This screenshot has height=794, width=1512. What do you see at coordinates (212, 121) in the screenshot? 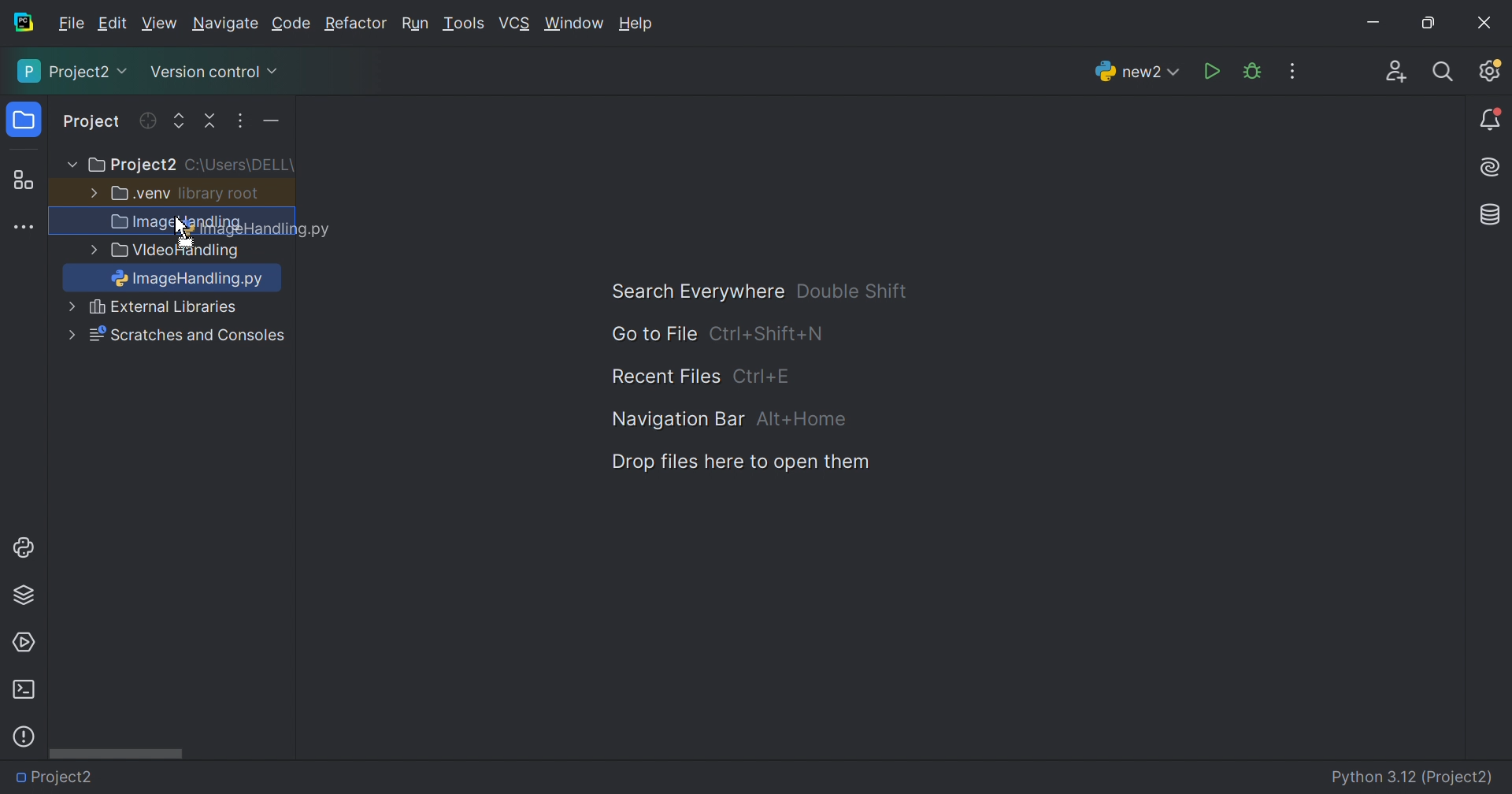
I see `Collapse all` at bounding box center [212, 121].